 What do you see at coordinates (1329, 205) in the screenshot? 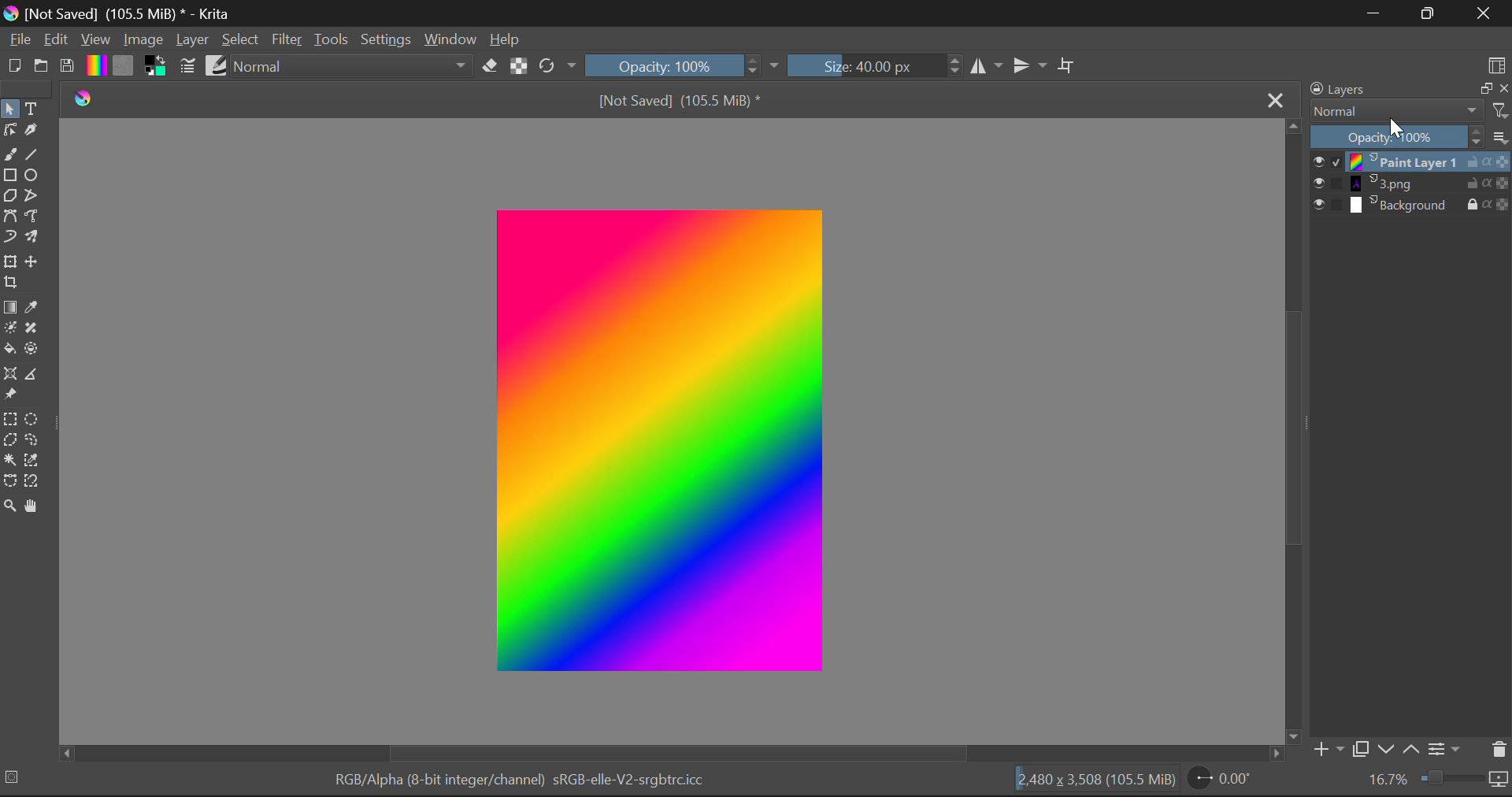
I see `show or hide layer` at bounding box center [1329, 205].